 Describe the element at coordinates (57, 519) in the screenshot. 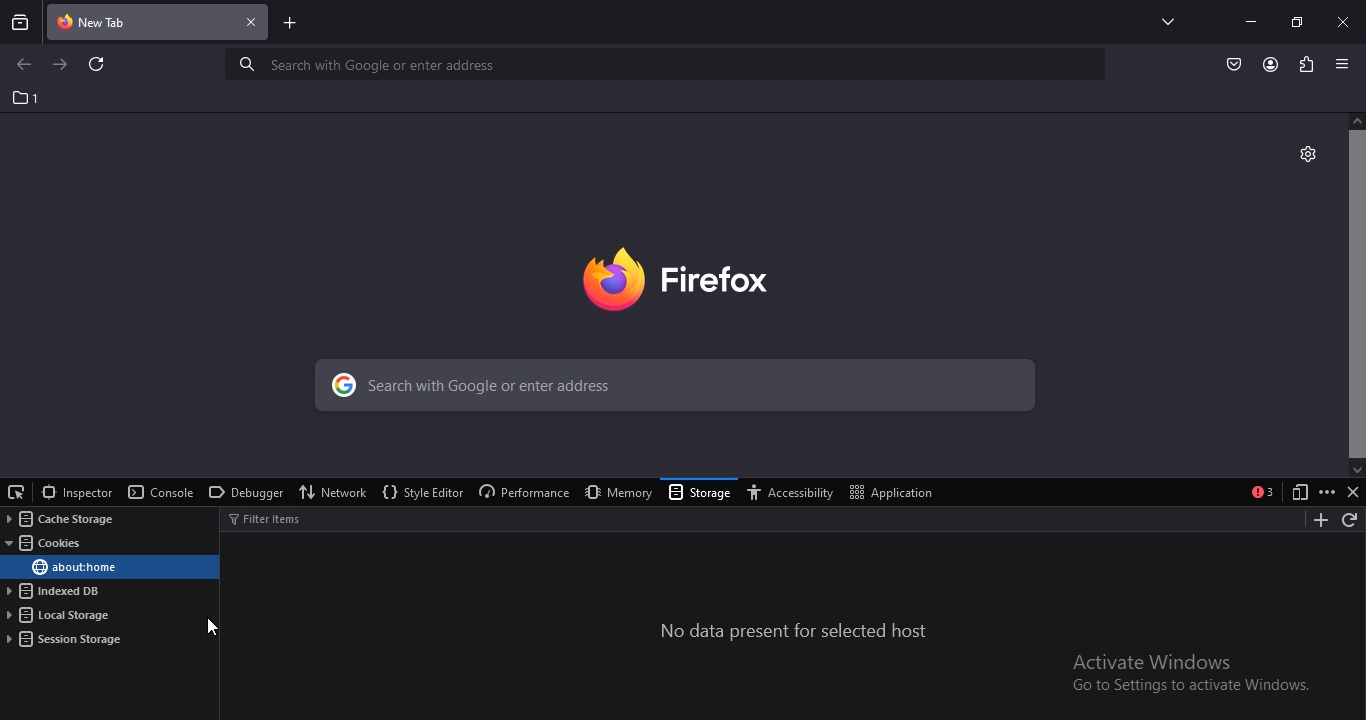

I see `cache storage` at that location.